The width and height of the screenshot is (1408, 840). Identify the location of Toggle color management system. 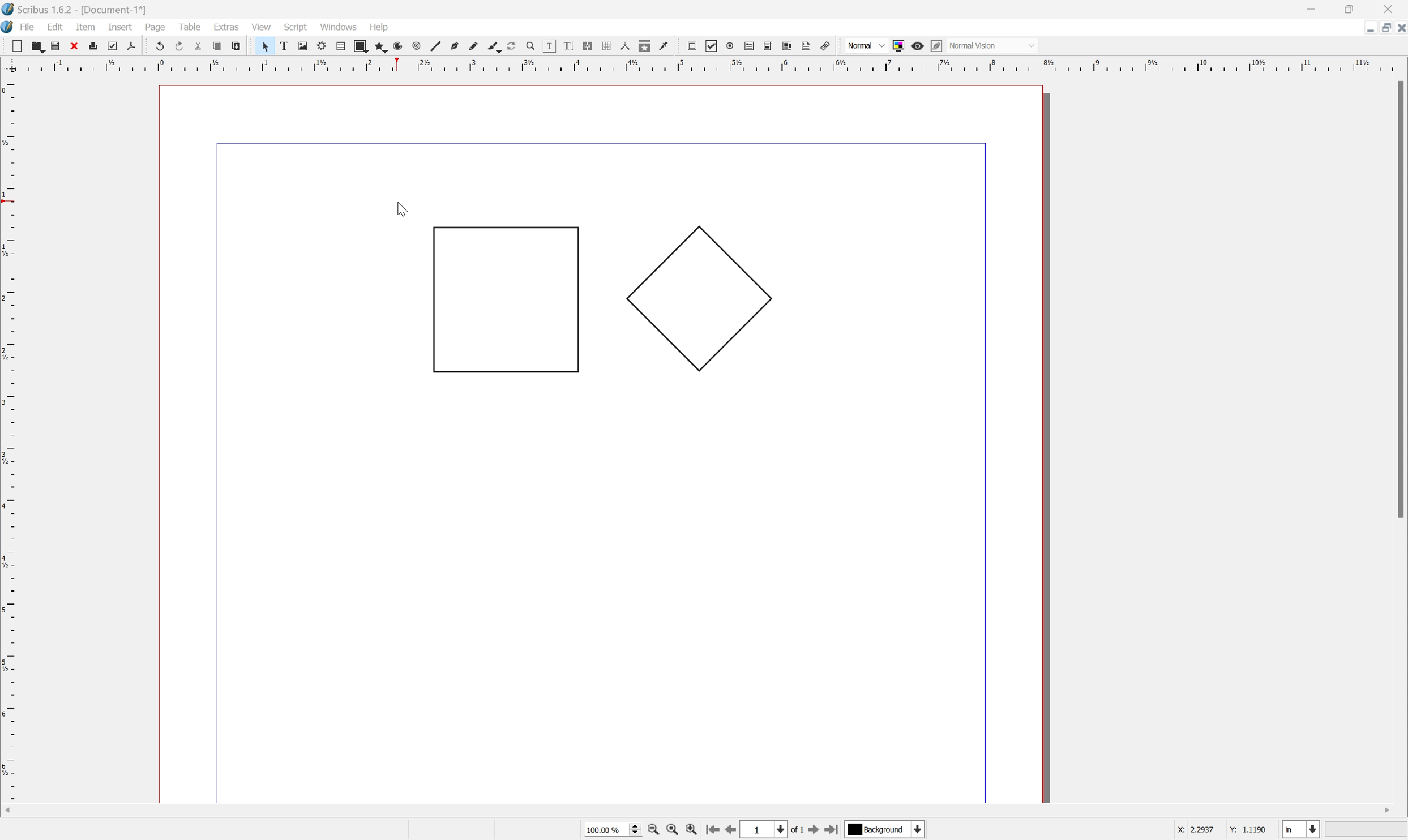
(900, 46).